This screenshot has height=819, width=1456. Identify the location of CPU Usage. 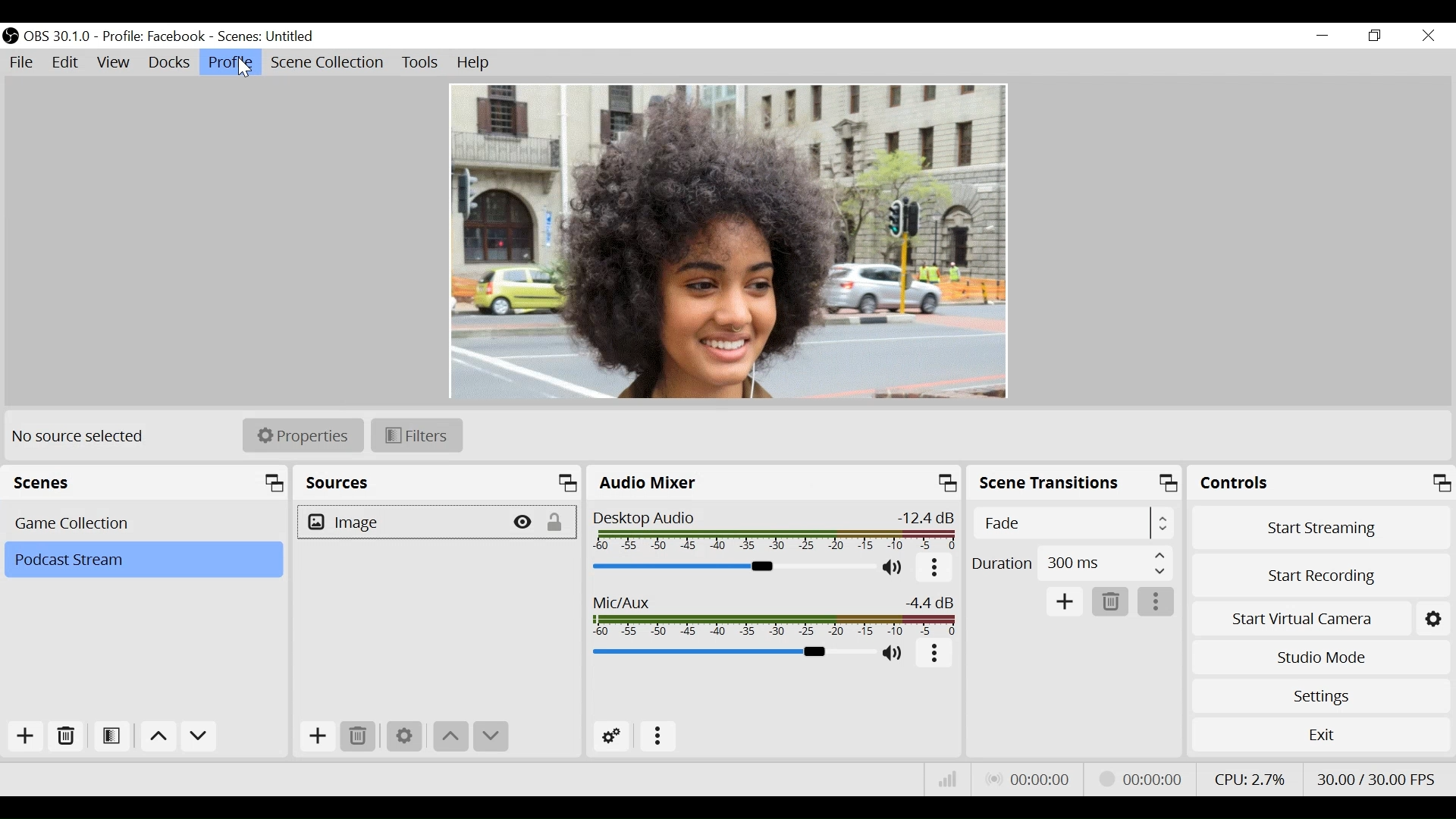
(1250, 777).